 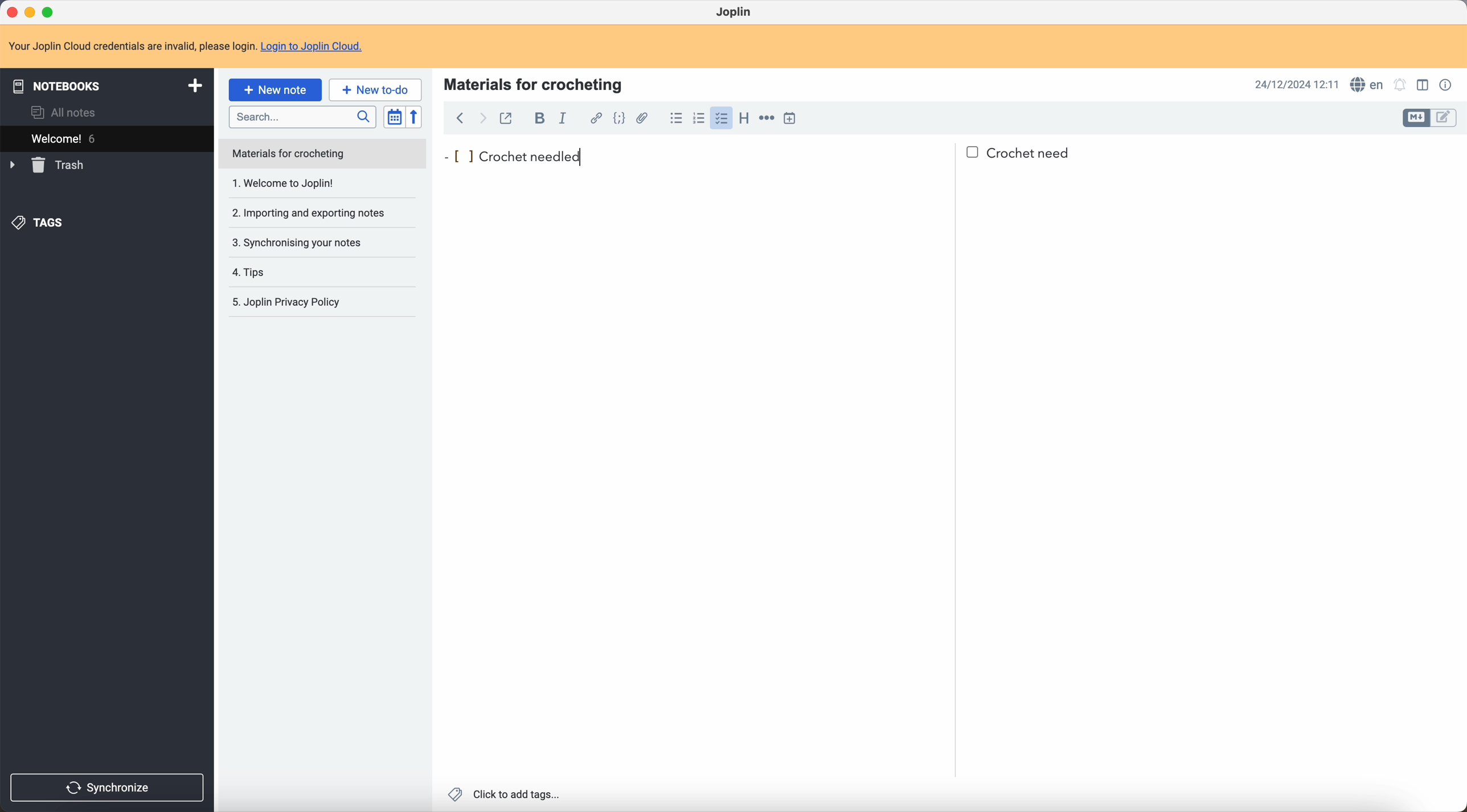 I want to click on search bar, so click(x=302, y=116).